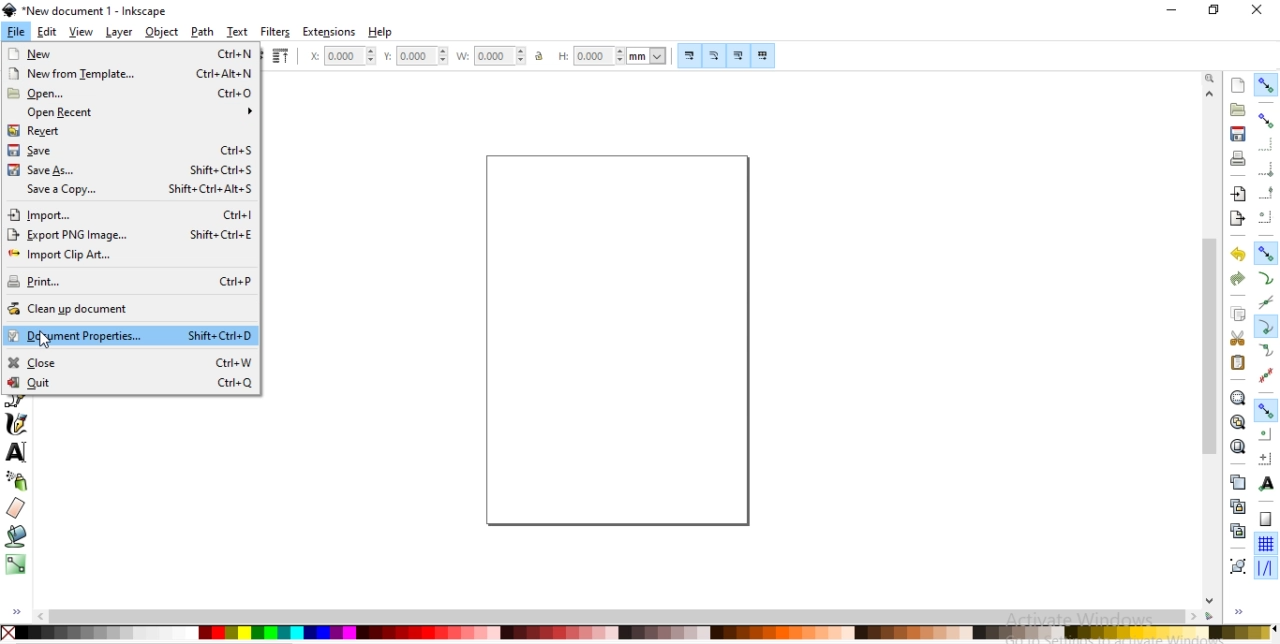 The width and height of the screenshot is (1280, 644). Describe the element at coordinates (714, 57) in the screenshot. I see `scale radii of rounded corners` at that location.